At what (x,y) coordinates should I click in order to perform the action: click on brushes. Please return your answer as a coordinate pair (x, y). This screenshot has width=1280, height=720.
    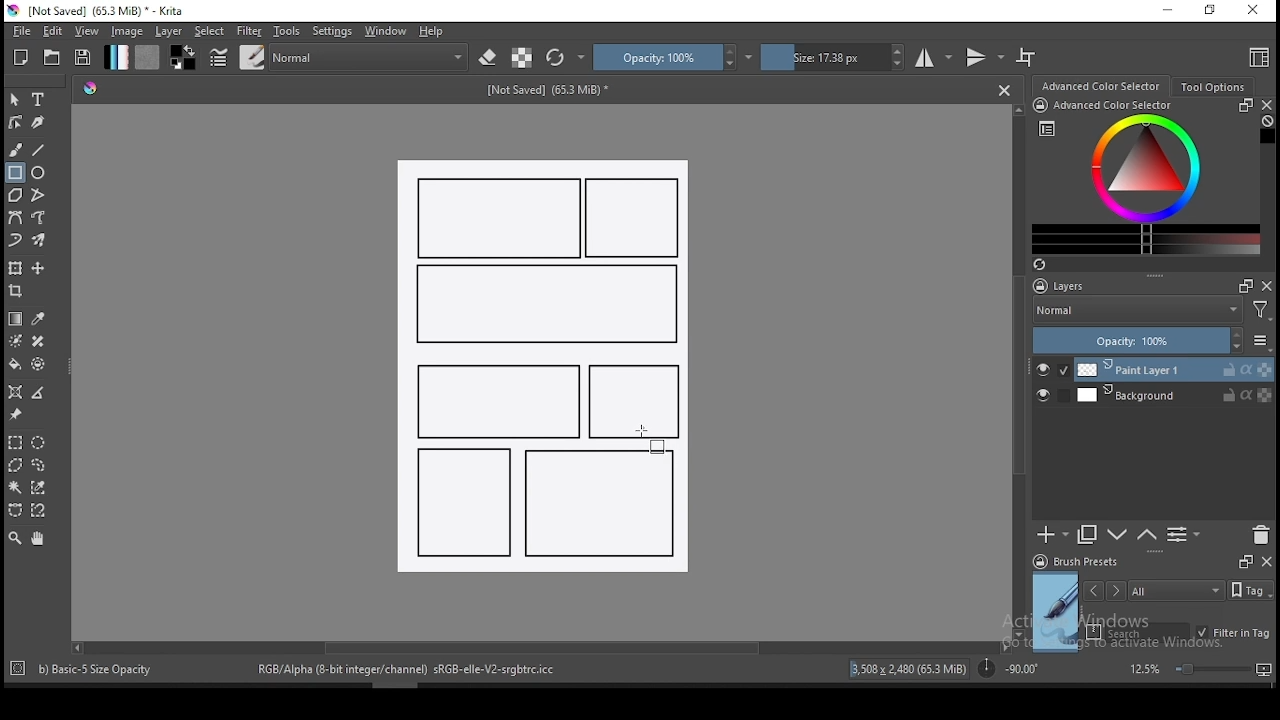
    Looking at the image, I should click on (252, 57).